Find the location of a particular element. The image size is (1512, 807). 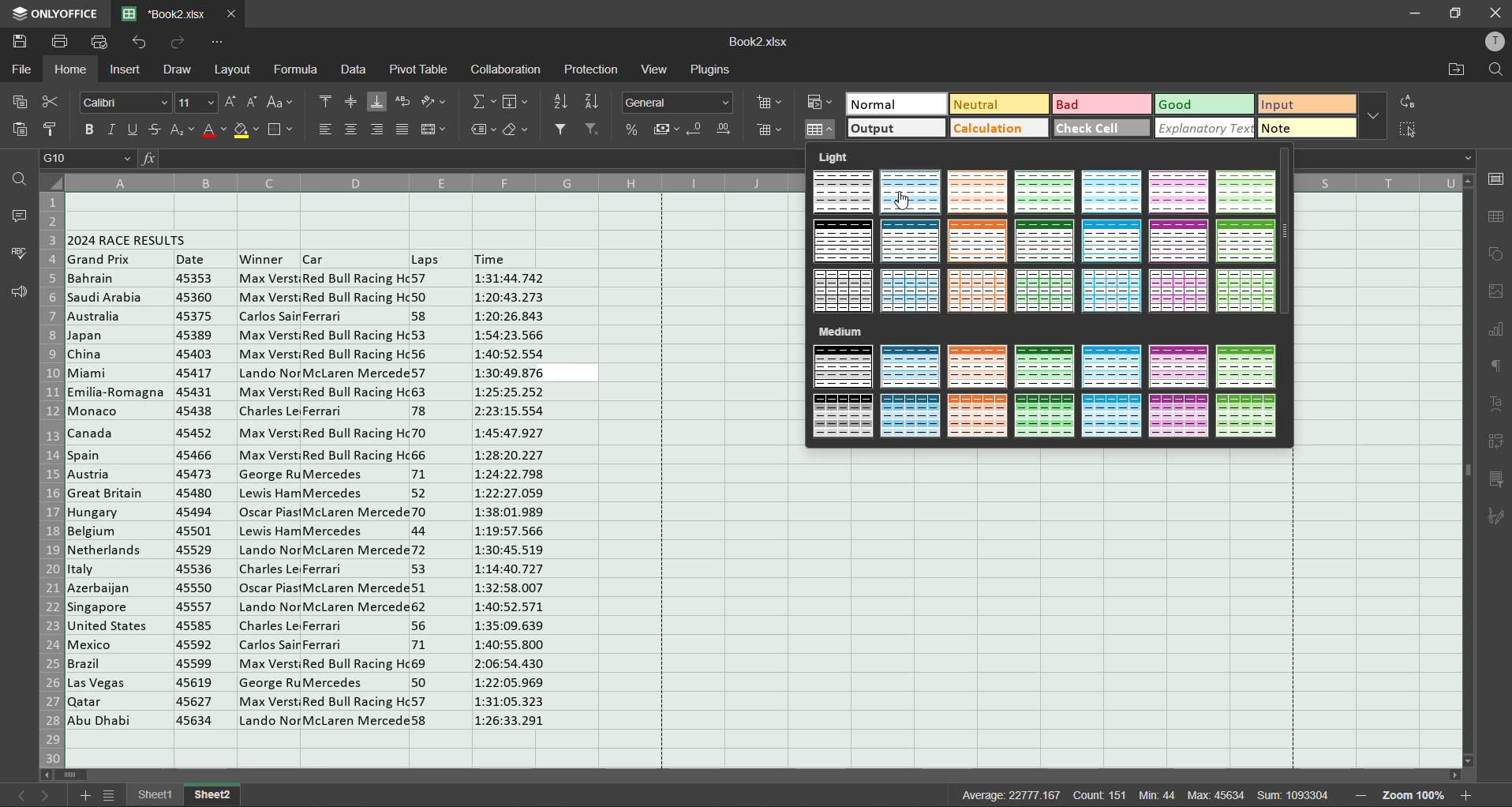

signature is located at coordinates (1496, 514).